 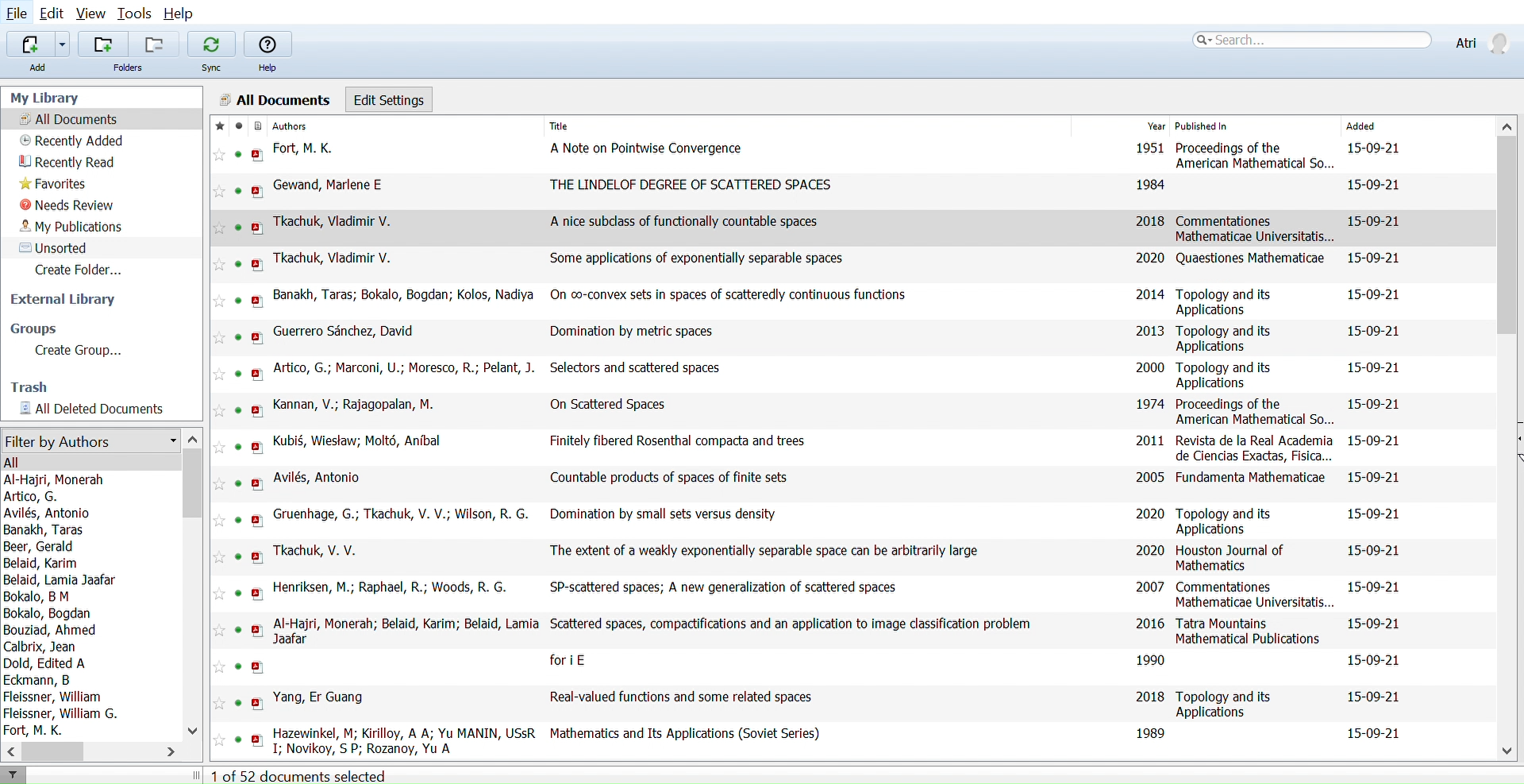 What do you see at coordinates (329, 186) in the screenshot?
I see `Gewand, Marlene E` at bounding box center [329, 186].